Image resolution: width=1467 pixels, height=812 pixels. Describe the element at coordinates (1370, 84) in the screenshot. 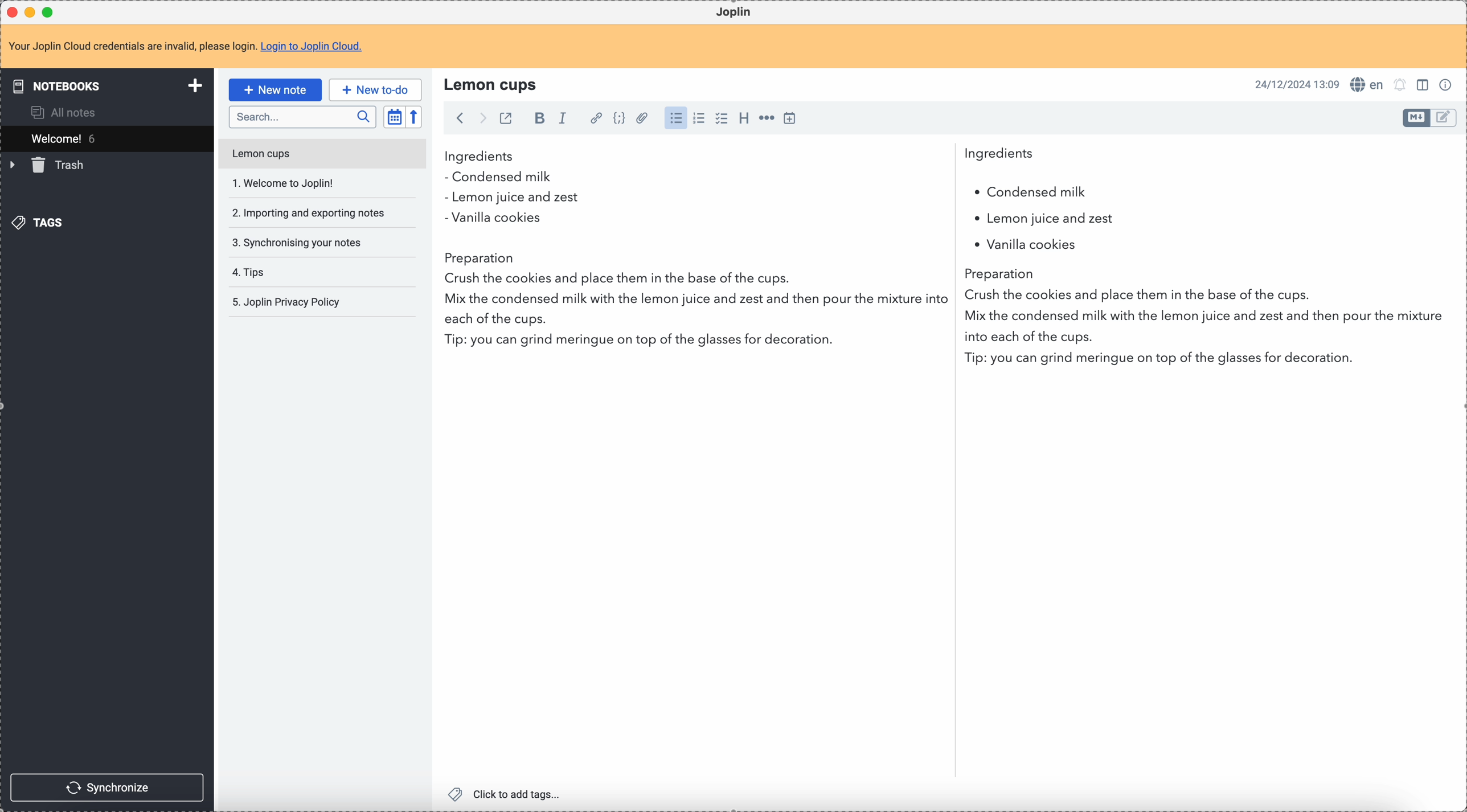

I see `spell checker` at that location.